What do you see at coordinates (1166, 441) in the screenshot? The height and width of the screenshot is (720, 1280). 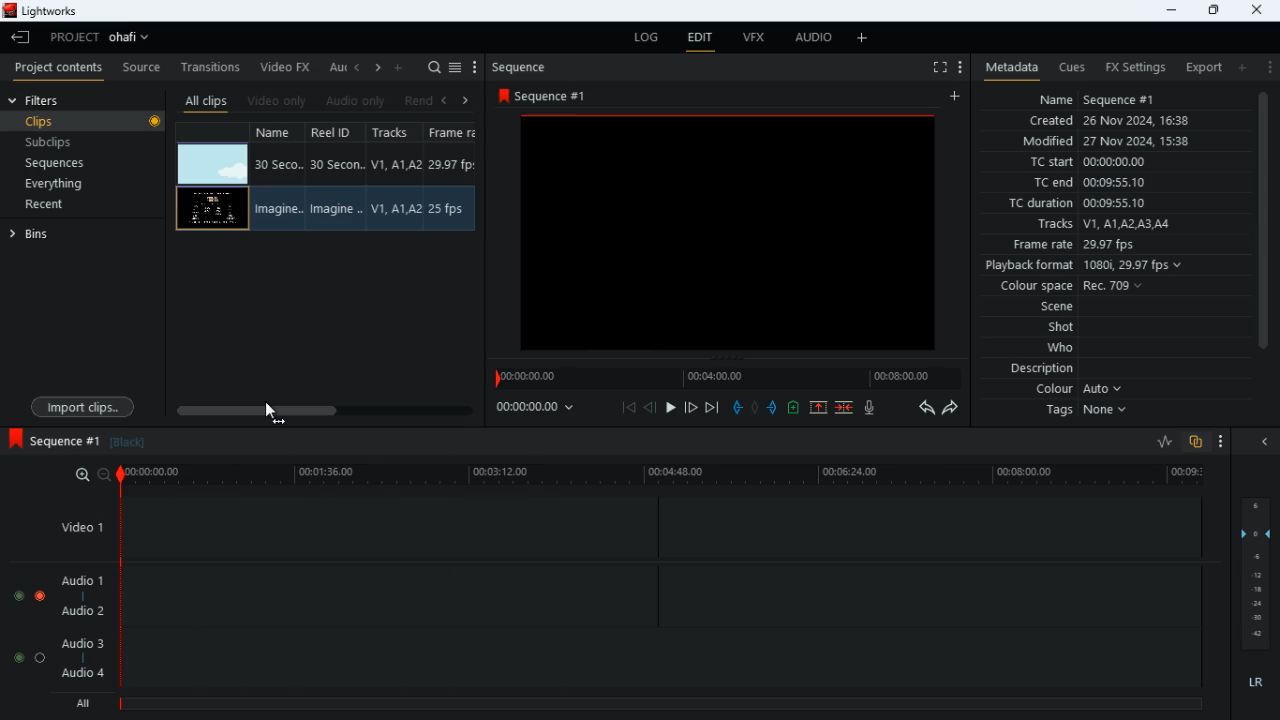 I see `ratio` at bounding box center [1166, 441].